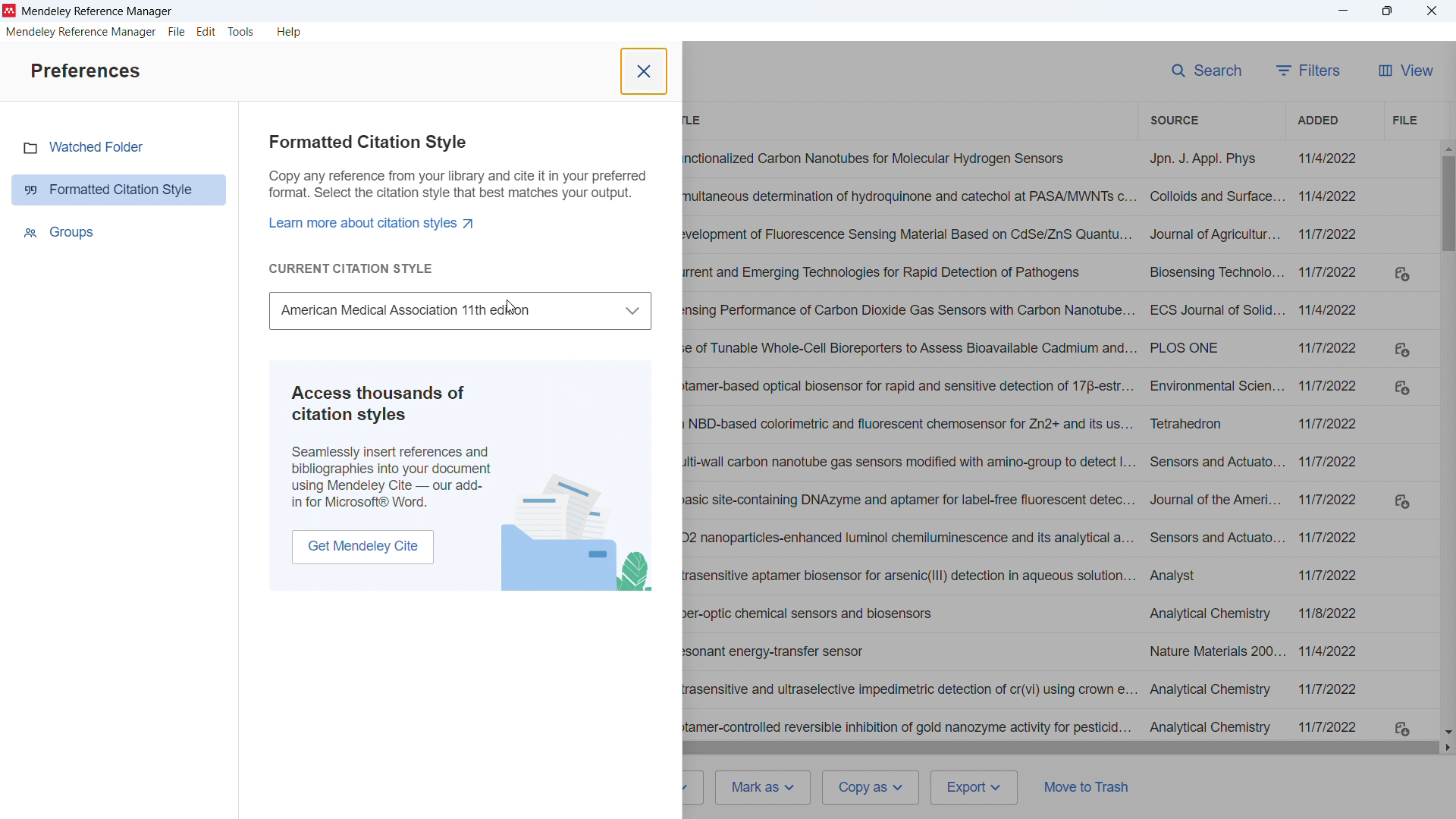  Describe the element at coordinates (377, 222) in the screenshot. I see `Learn more about citation styles ` at that location.